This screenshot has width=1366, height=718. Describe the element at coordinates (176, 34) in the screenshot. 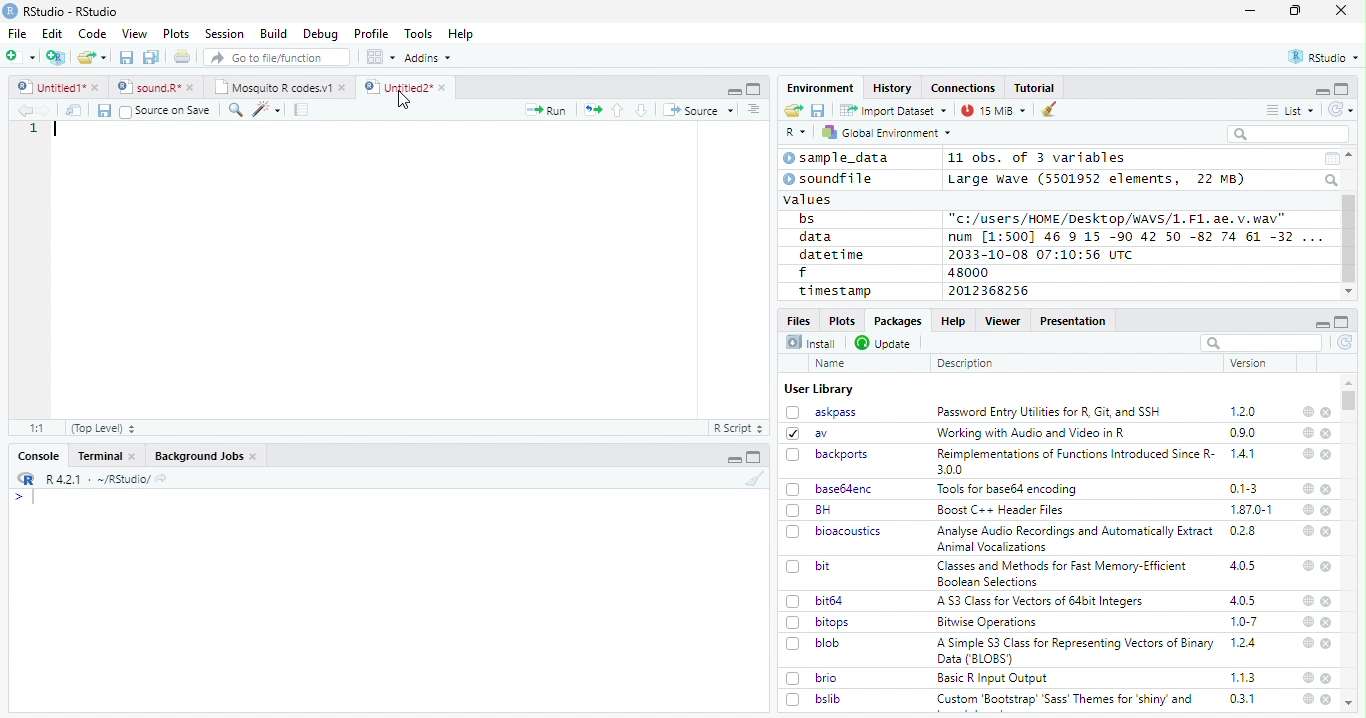

I see `Plots` at that location.